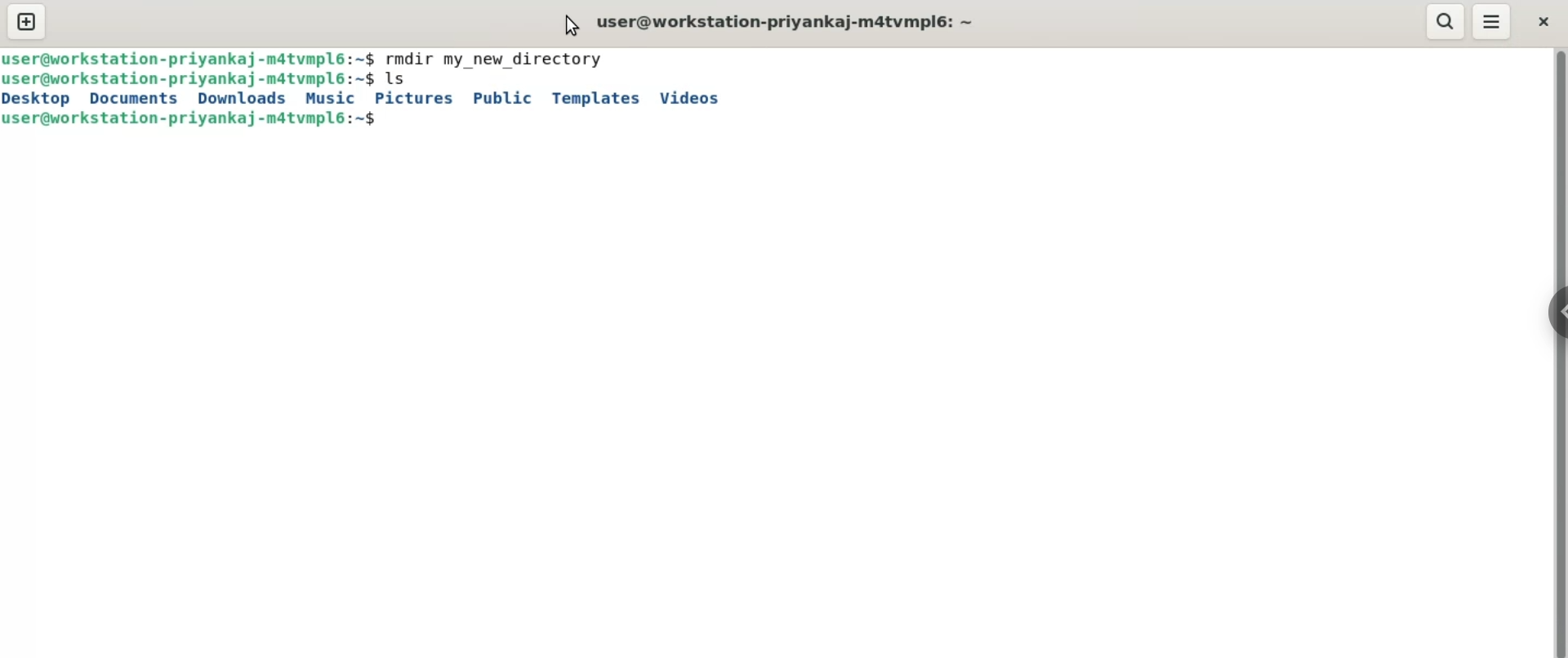 This screenshot has width=1568, height=658. I want to click on menu, so click(1492, 22).